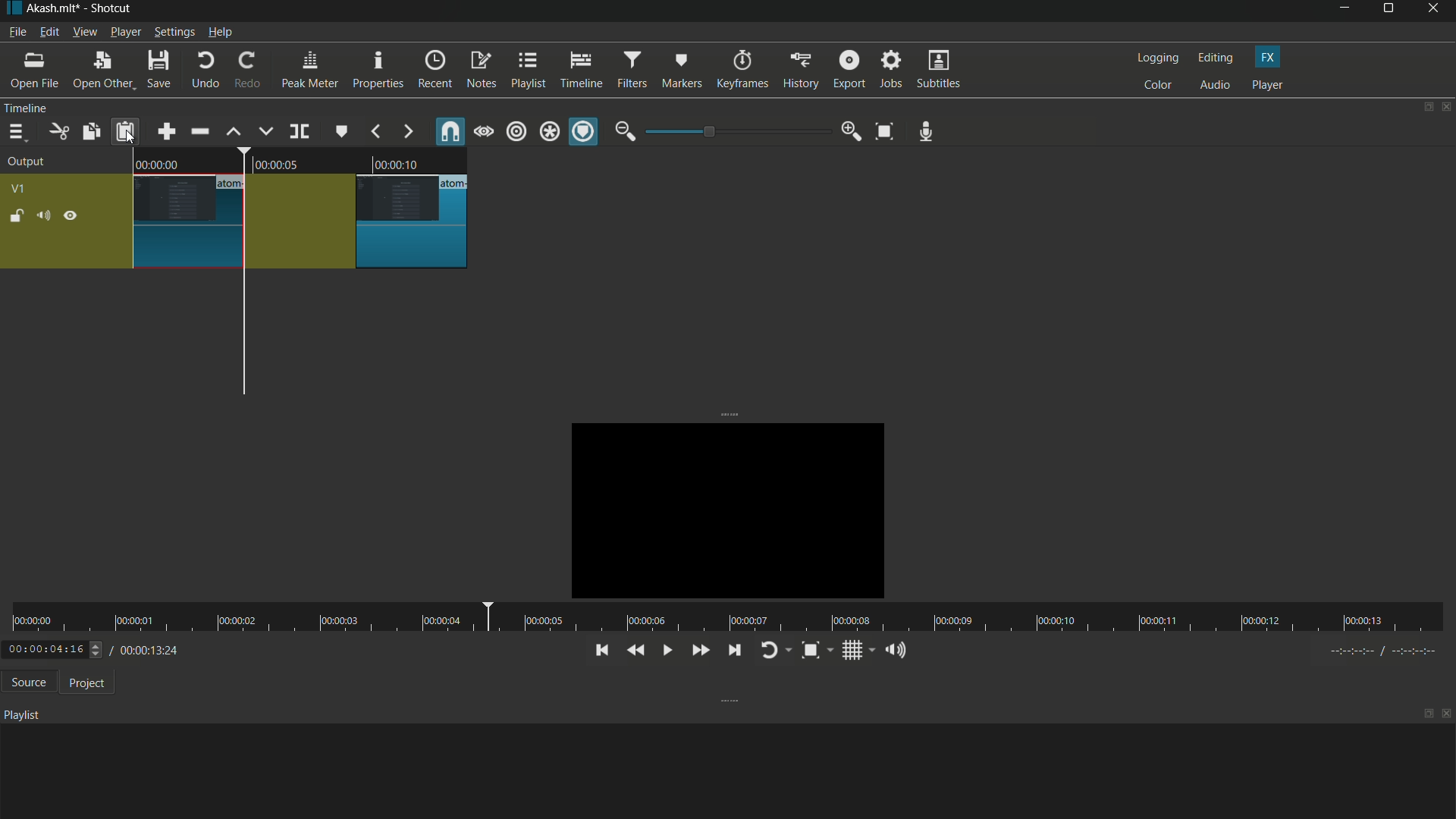 The image size is (1456, 819). I want to click on timeline menu, so click(16, 132).